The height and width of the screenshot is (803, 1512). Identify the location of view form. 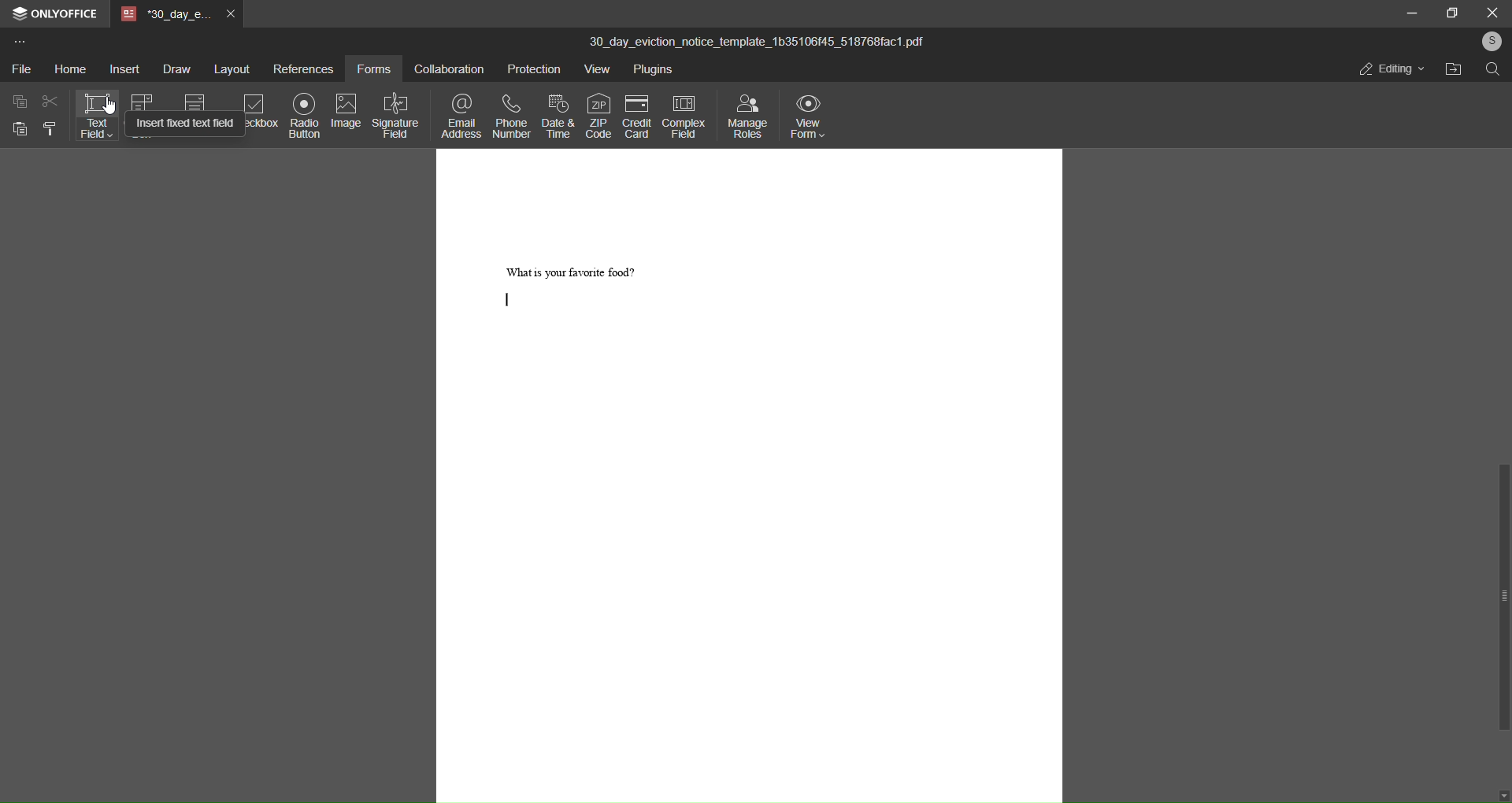
(806, 118).